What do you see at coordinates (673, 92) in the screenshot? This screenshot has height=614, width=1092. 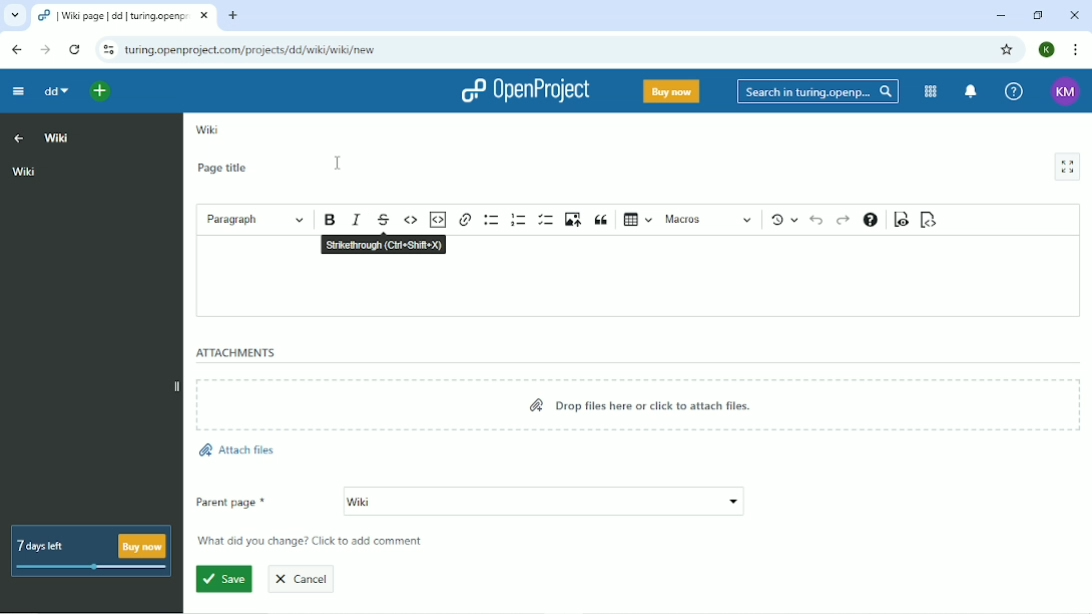 I see `Buy now` at bounding box center [673, 92].